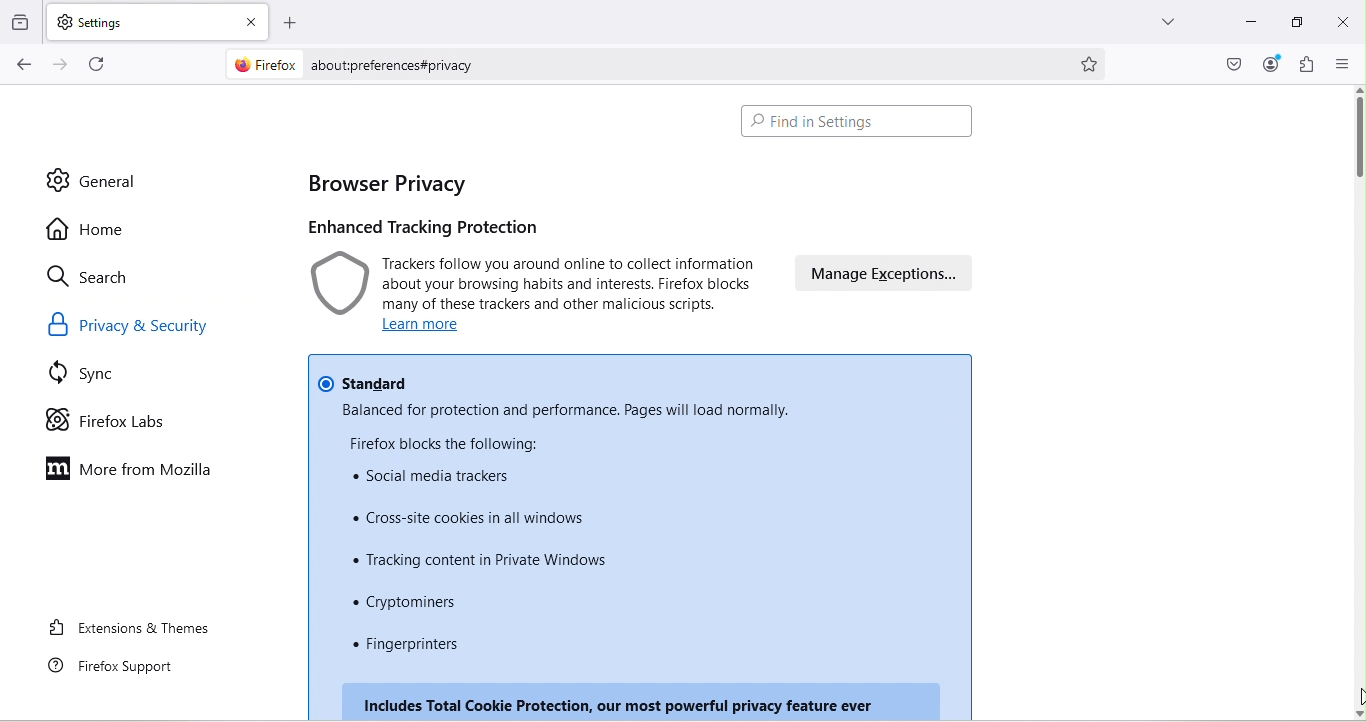  I want to click on Save to pocket, so click(1229, 62).